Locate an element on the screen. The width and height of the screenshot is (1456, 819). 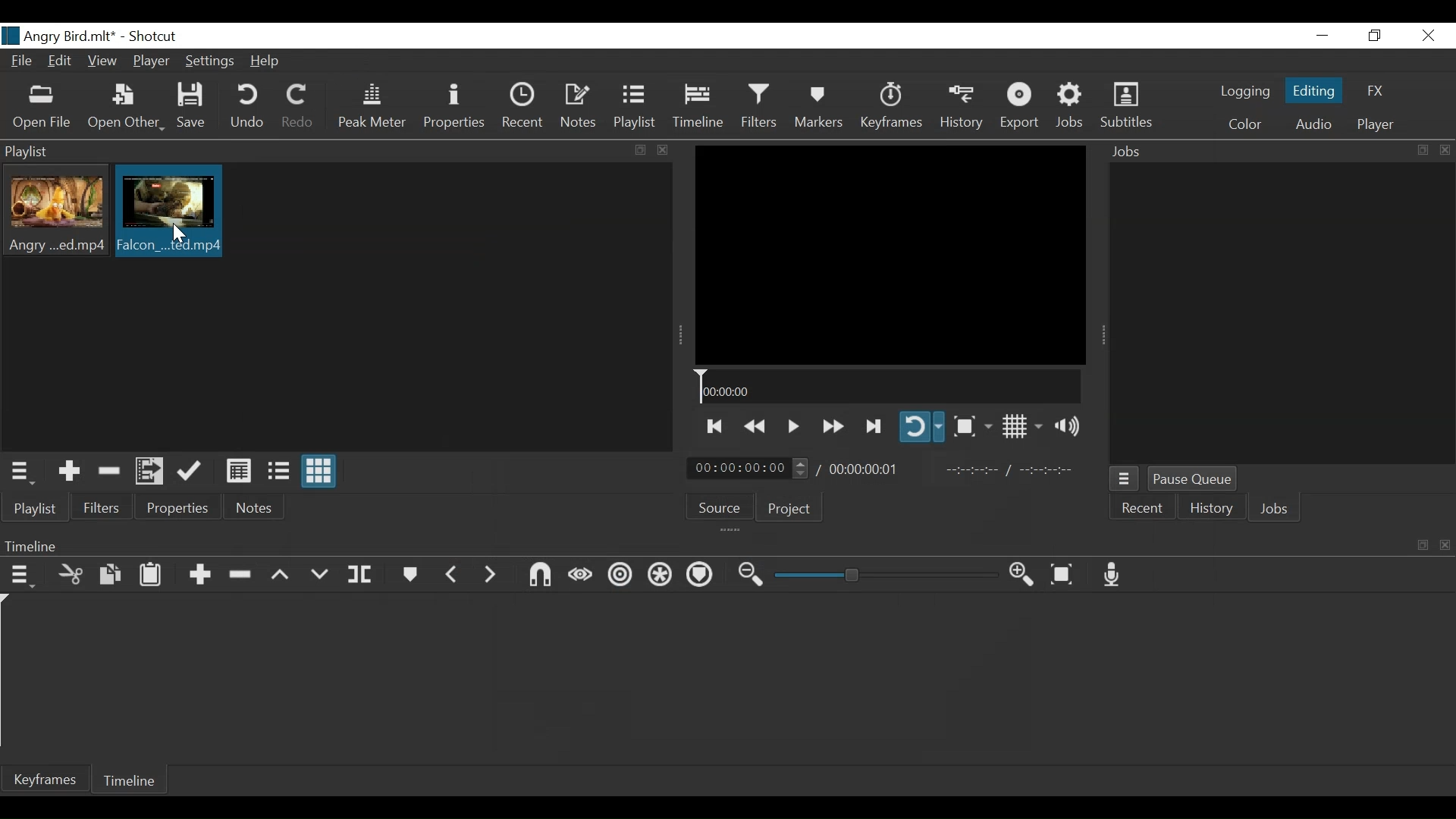
Add files to the playlist is located at coordinates (152, 469).